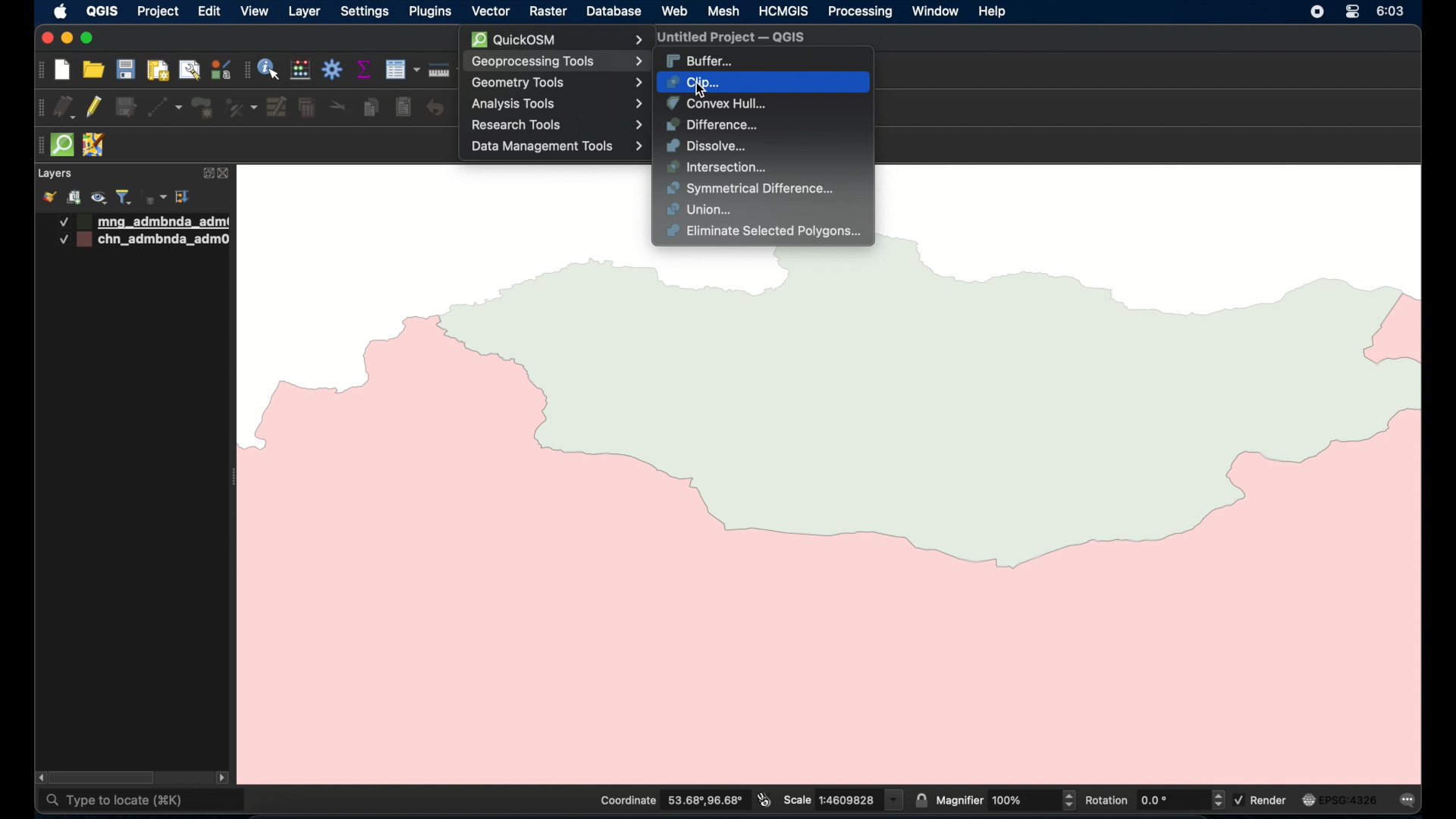 This screenshot has height=819, width=1456. I want to click on render, so click(1263, 799).